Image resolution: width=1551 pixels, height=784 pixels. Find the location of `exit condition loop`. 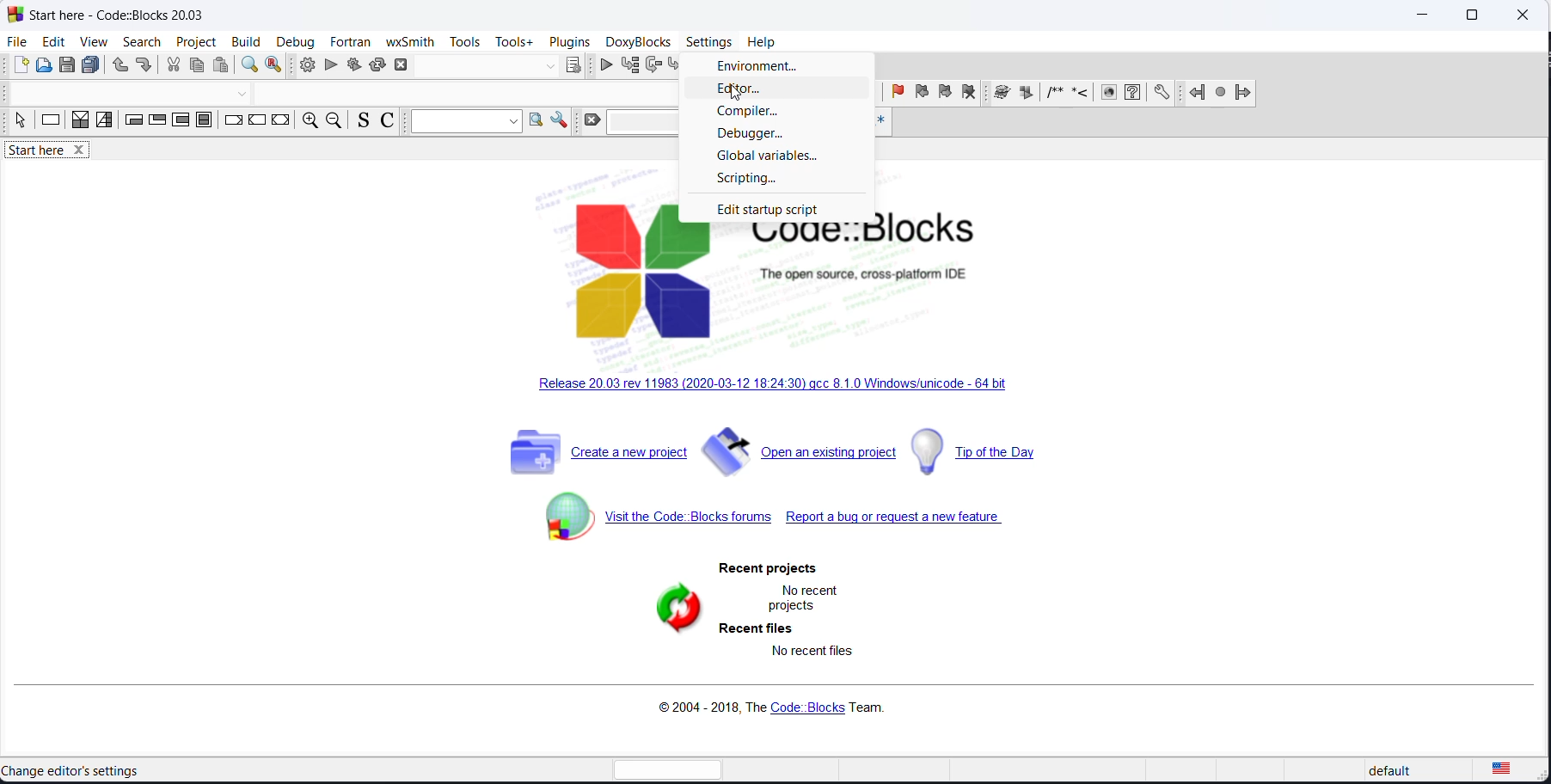

exit condition loop is located at coordinates (156, 123).